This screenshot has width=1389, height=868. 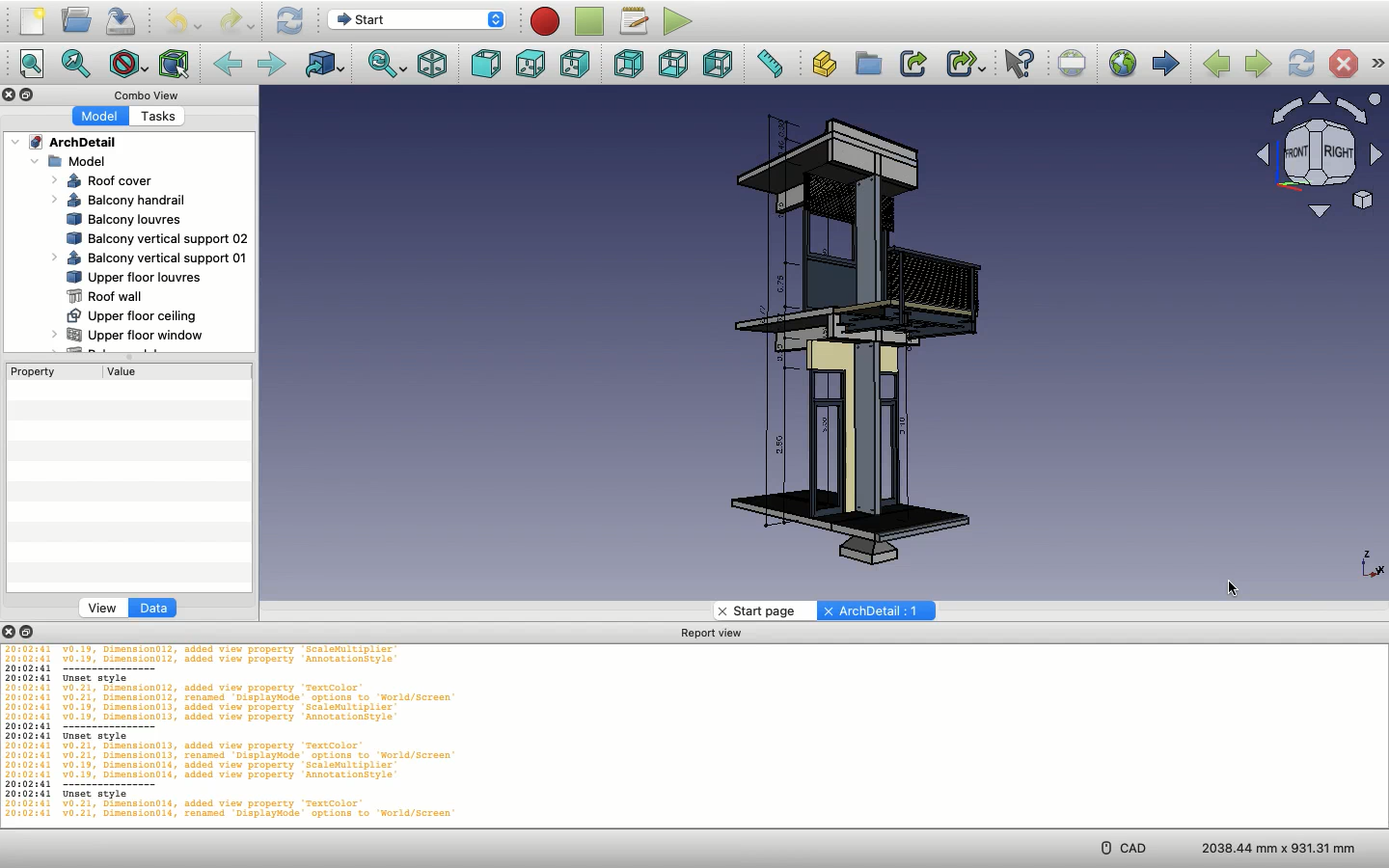 I want to click on Balcony vertical support 02, so click(x=156, y=238).